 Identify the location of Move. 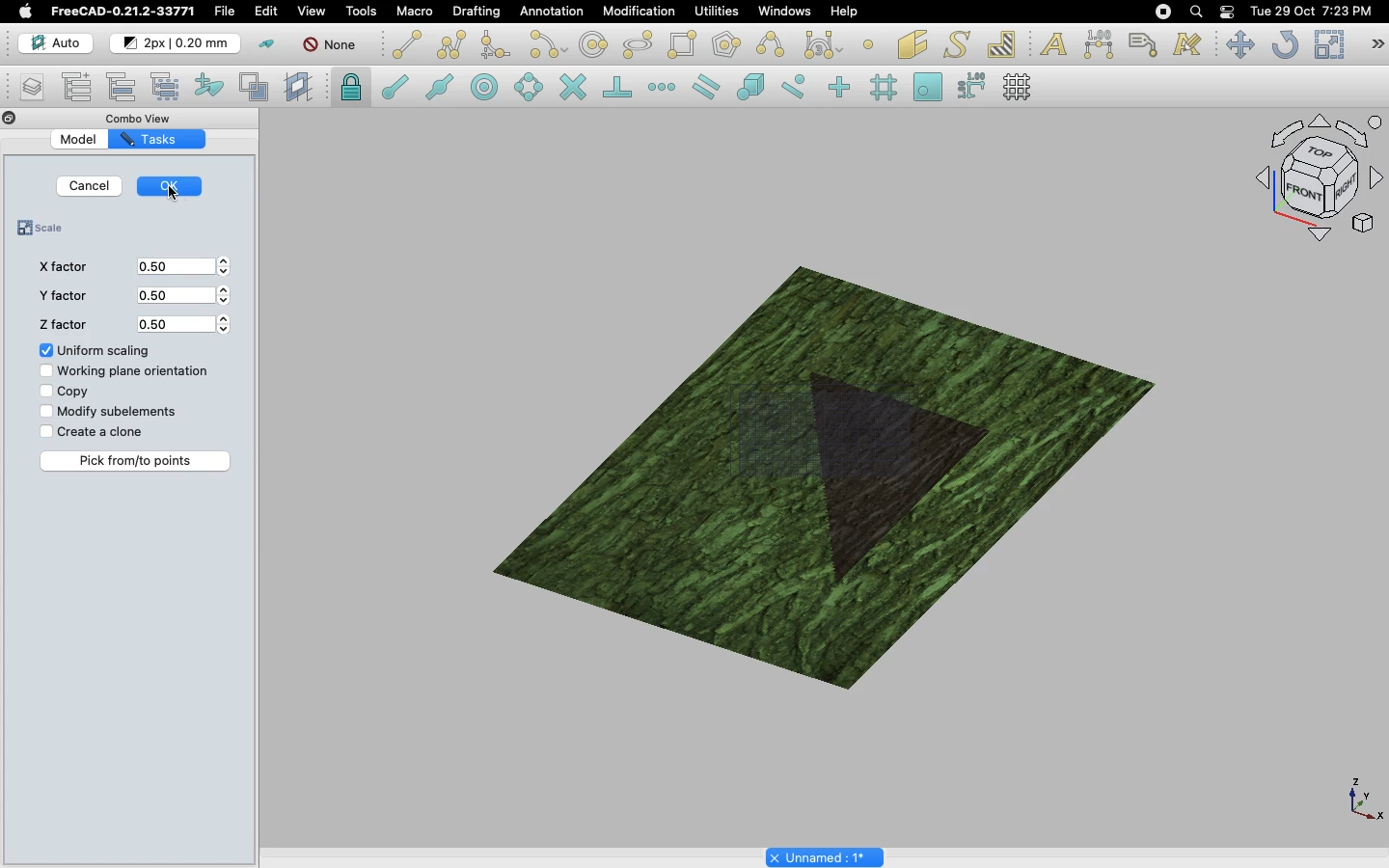
(1239, 45).